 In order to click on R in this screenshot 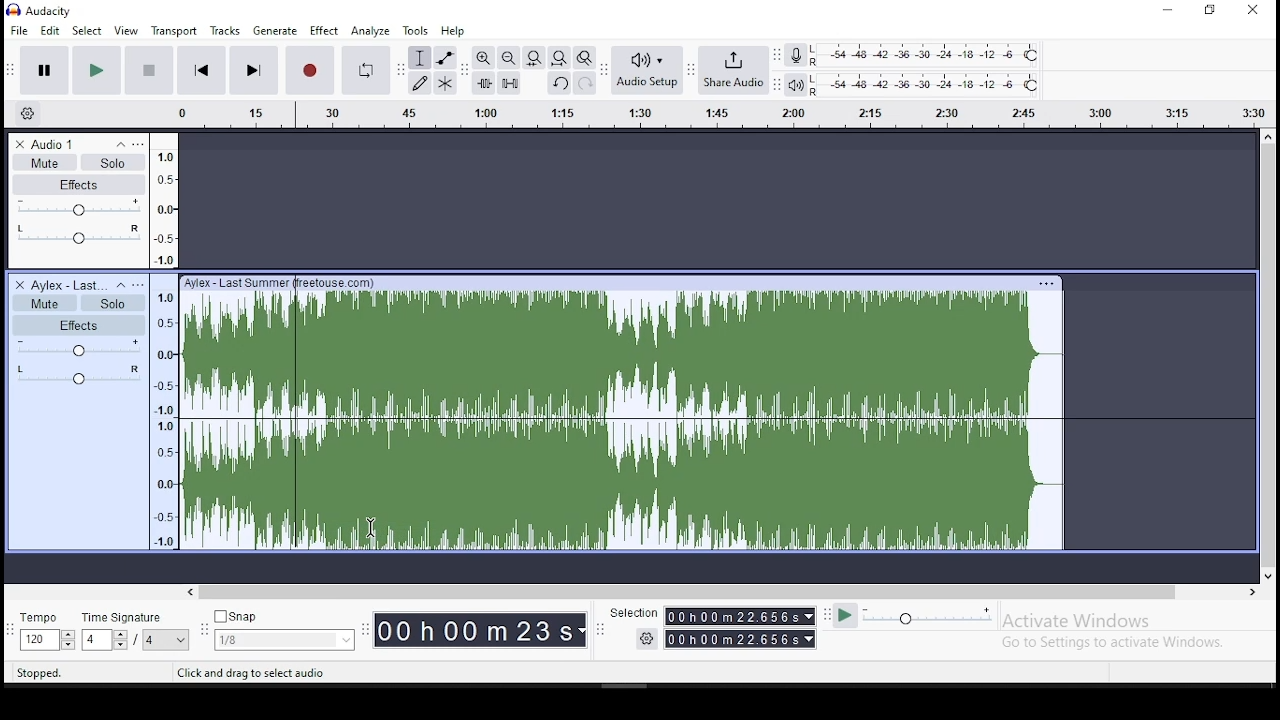, I will do `click(816, 63)`.